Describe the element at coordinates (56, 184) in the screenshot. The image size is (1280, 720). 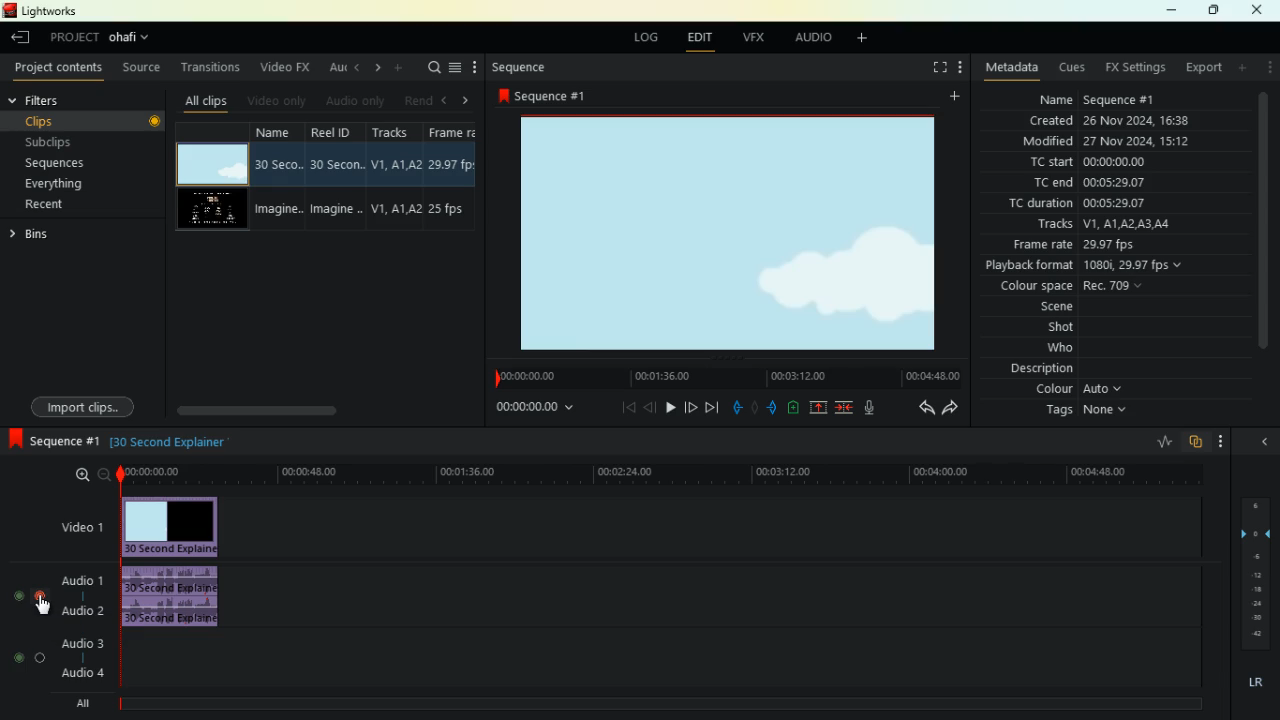
I see `everything` at that location.